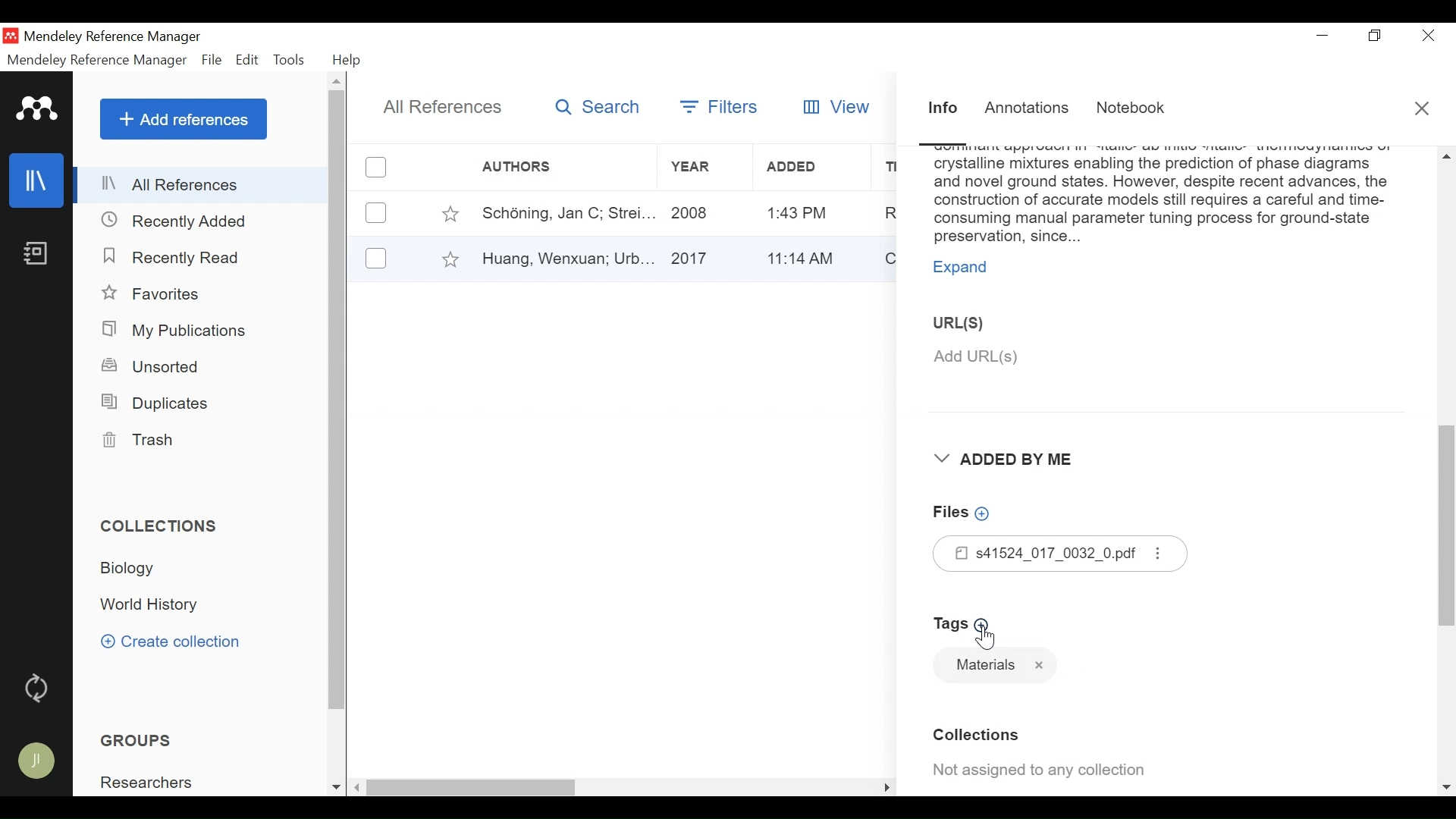  Describe the element at coordinates (807, 256) in the screenshot. I see `Added` at that location.